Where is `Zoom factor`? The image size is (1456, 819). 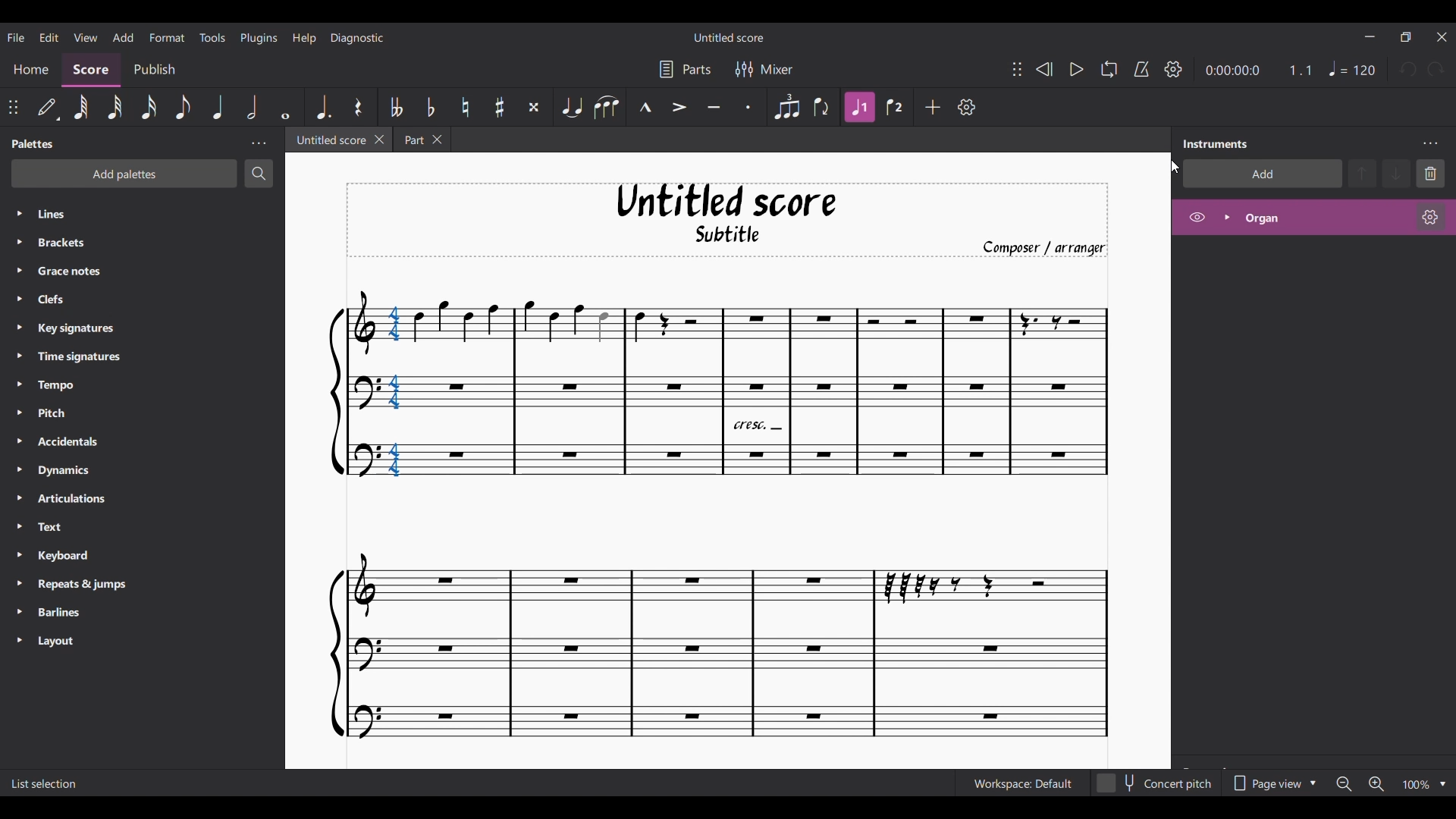
Zoom factor is located at coordinates (1416, 785).